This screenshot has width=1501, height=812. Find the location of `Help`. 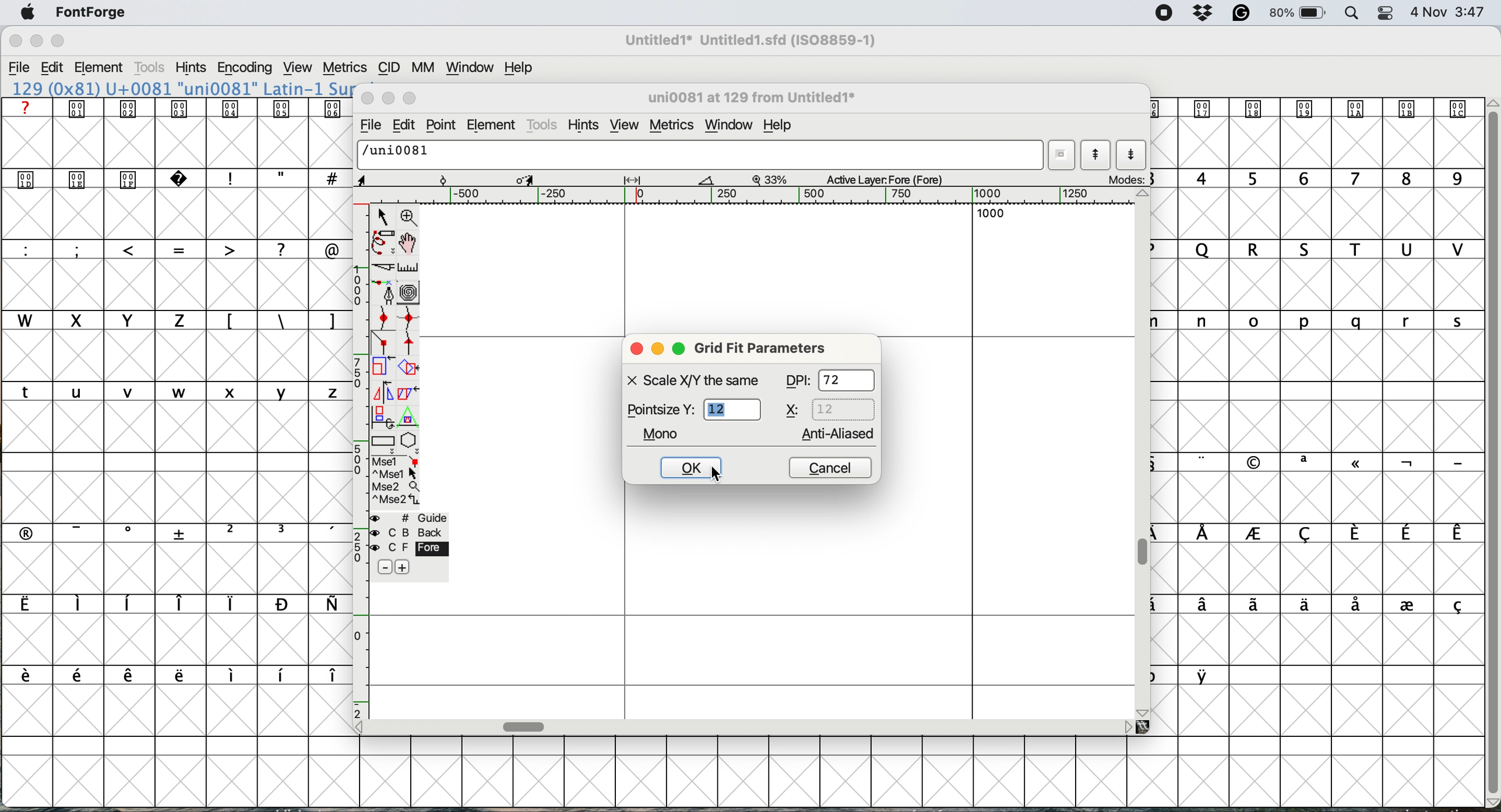

Help is located at coordinates (519, 68).